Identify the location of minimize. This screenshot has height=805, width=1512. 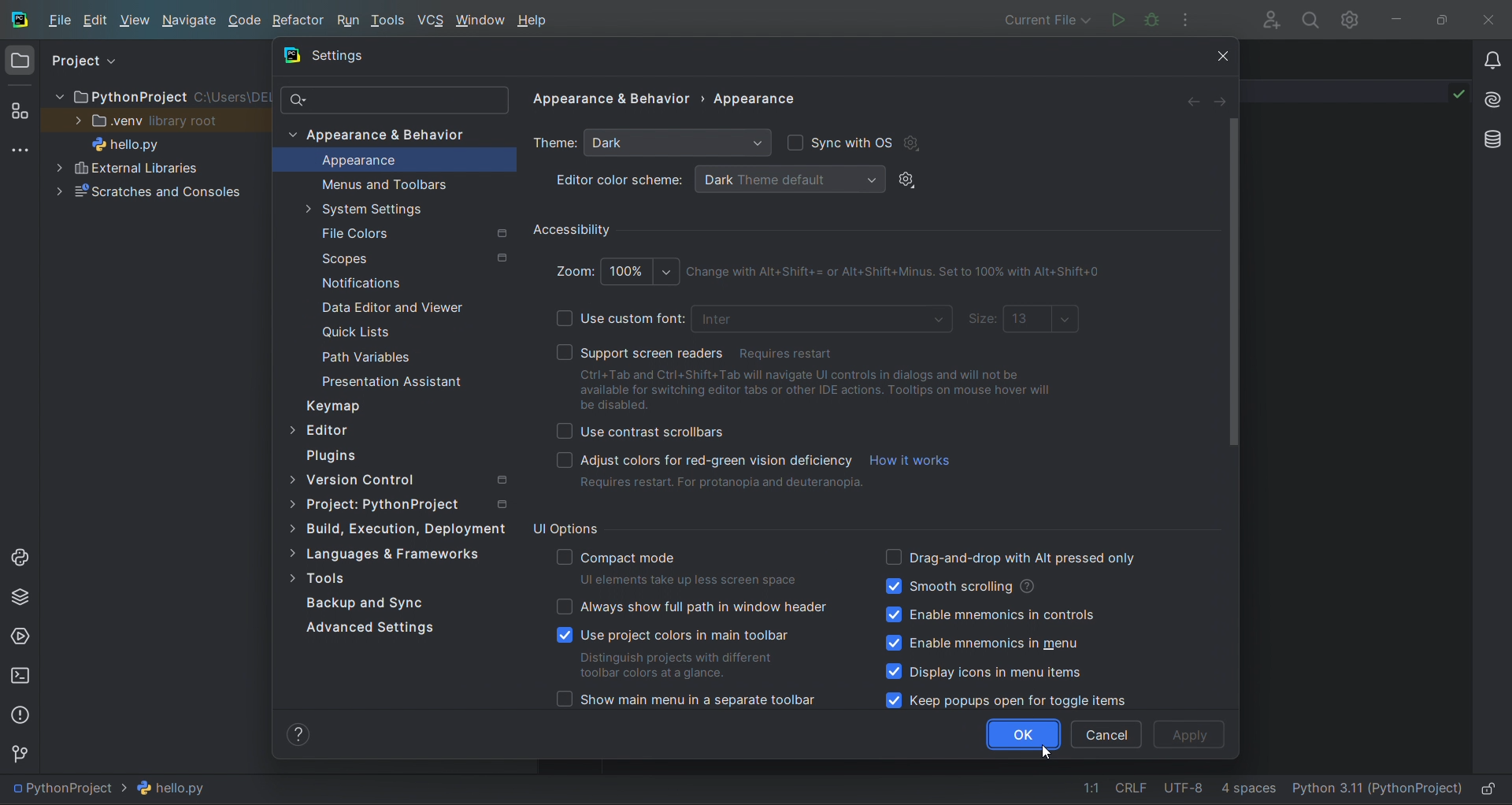
(1403, 19).